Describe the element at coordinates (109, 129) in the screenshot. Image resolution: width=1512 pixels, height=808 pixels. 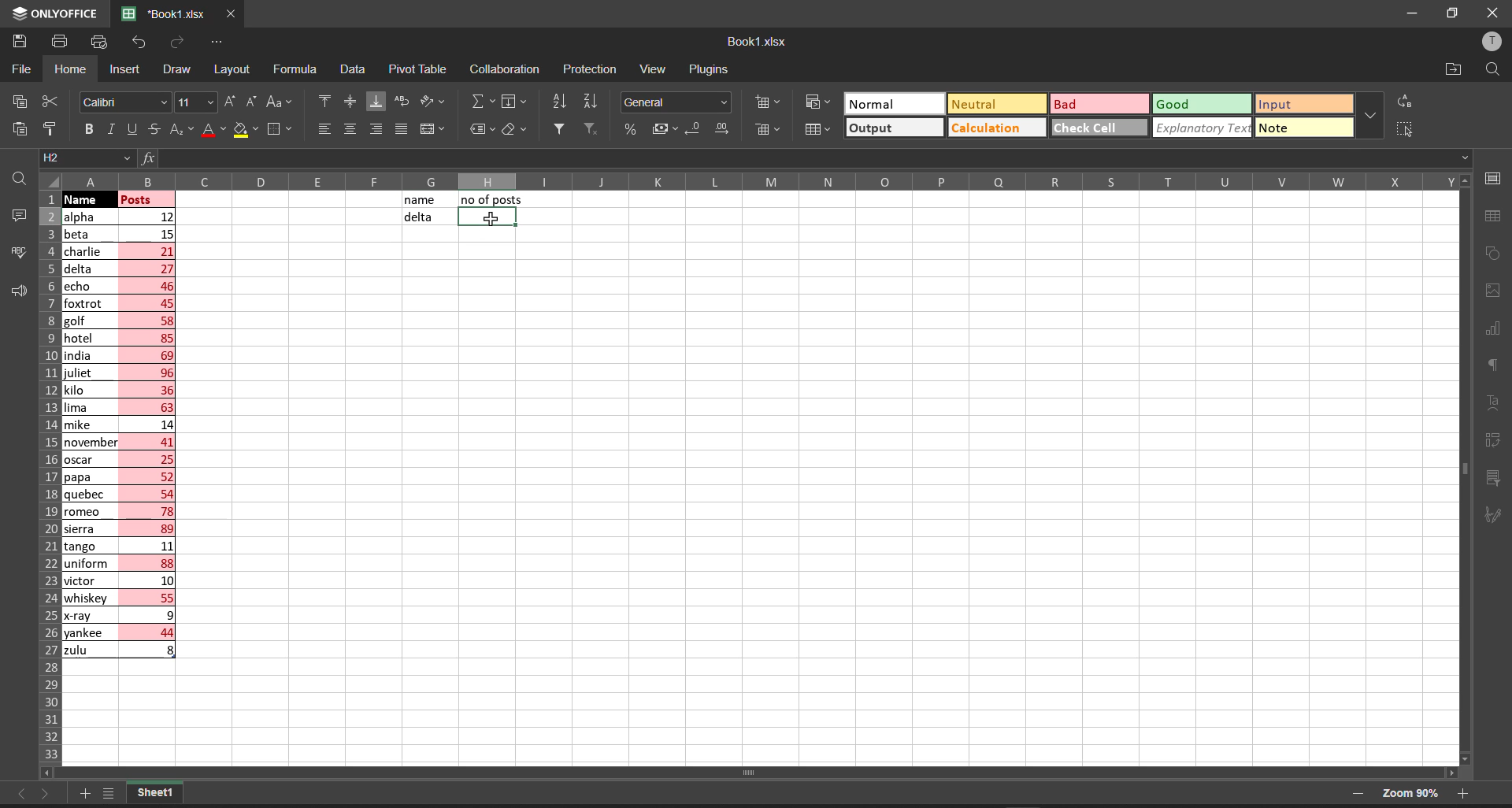
I see `italic` at that location.